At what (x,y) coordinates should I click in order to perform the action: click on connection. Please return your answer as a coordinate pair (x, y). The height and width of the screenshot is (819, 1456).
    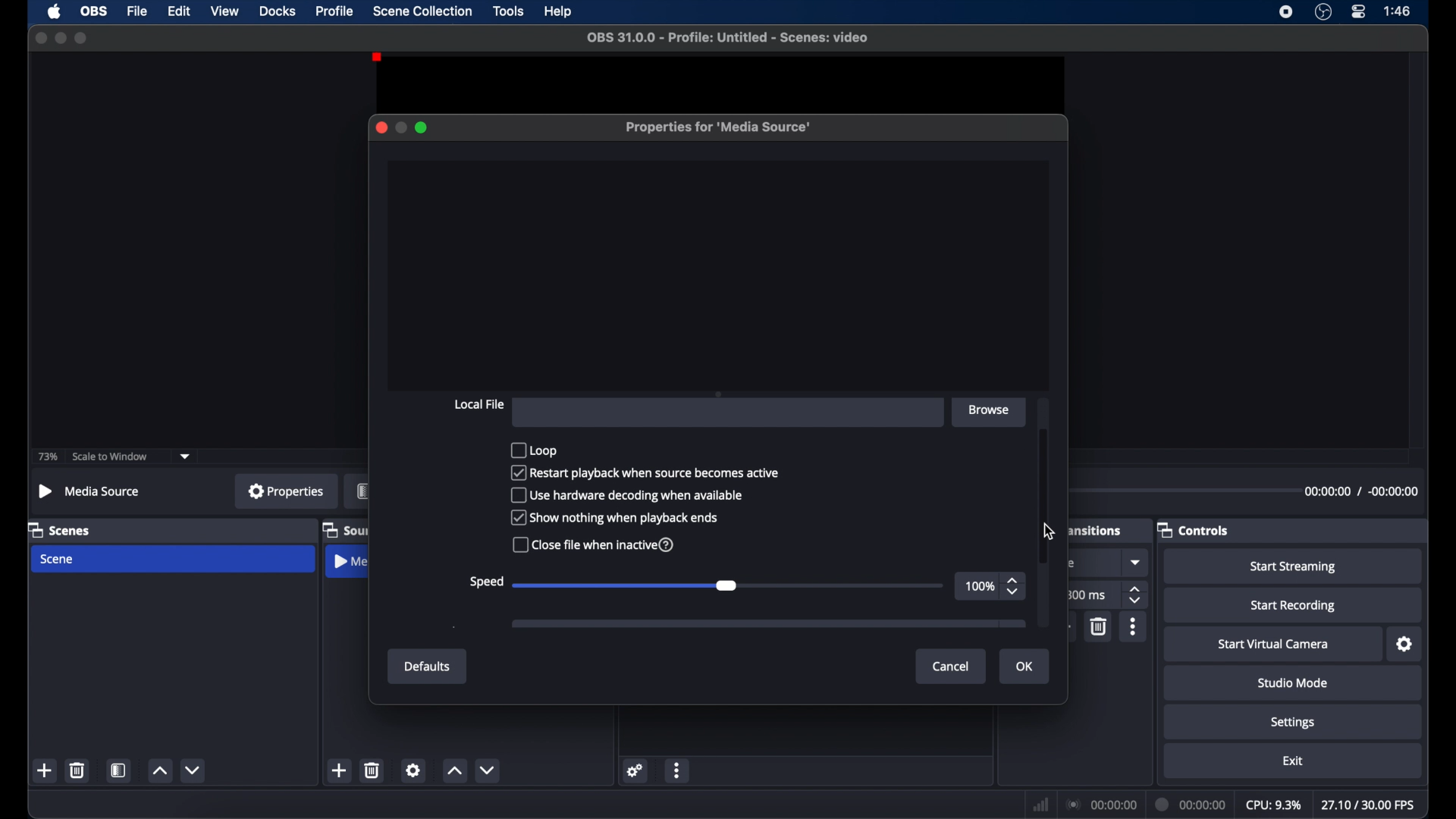
    Looking at the image, I should click on (1101, 803).